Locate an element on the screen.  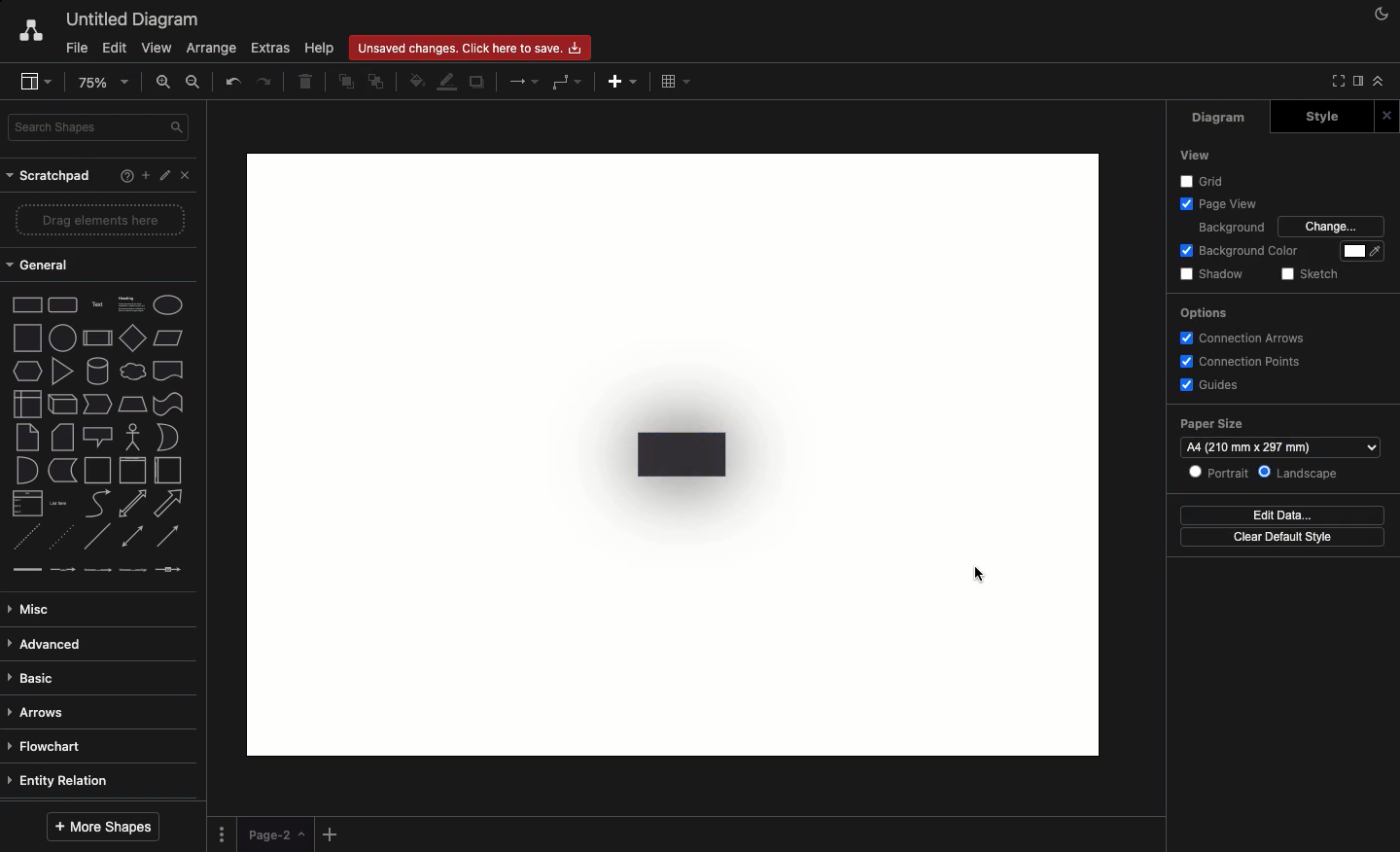
Options is located at coordinates (1203, 313).